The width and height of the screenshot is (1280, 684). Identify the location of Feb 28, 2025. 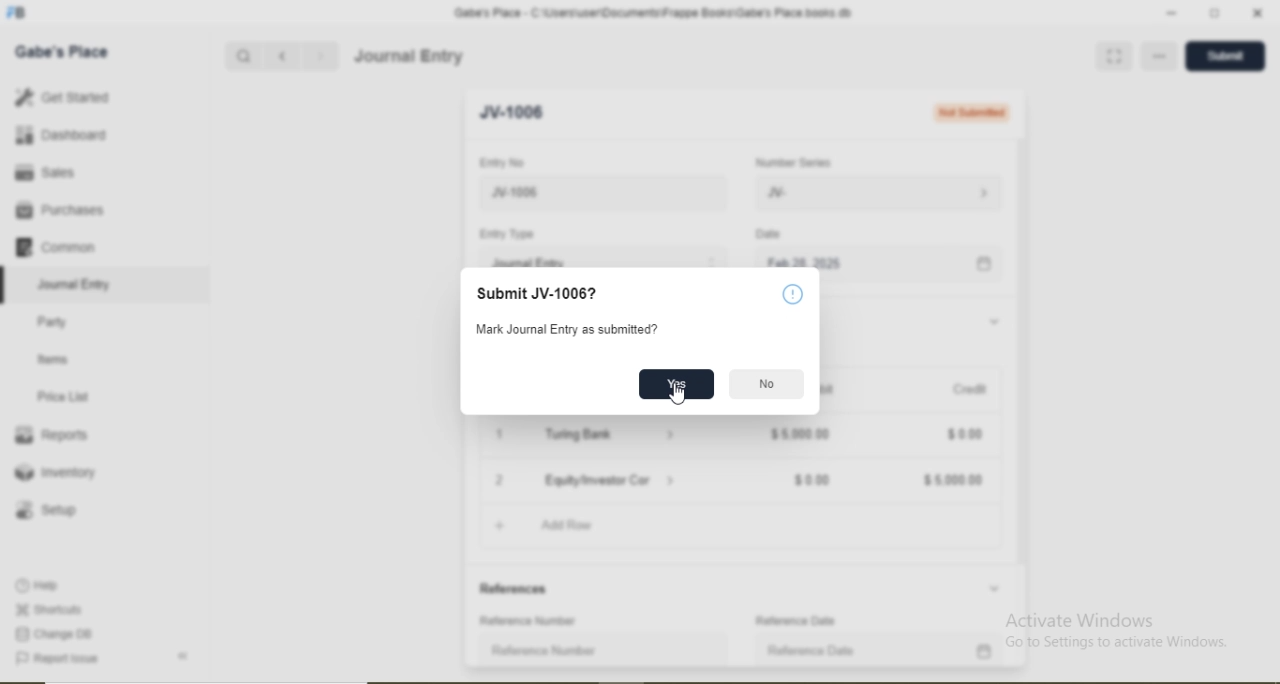
(804, 261).